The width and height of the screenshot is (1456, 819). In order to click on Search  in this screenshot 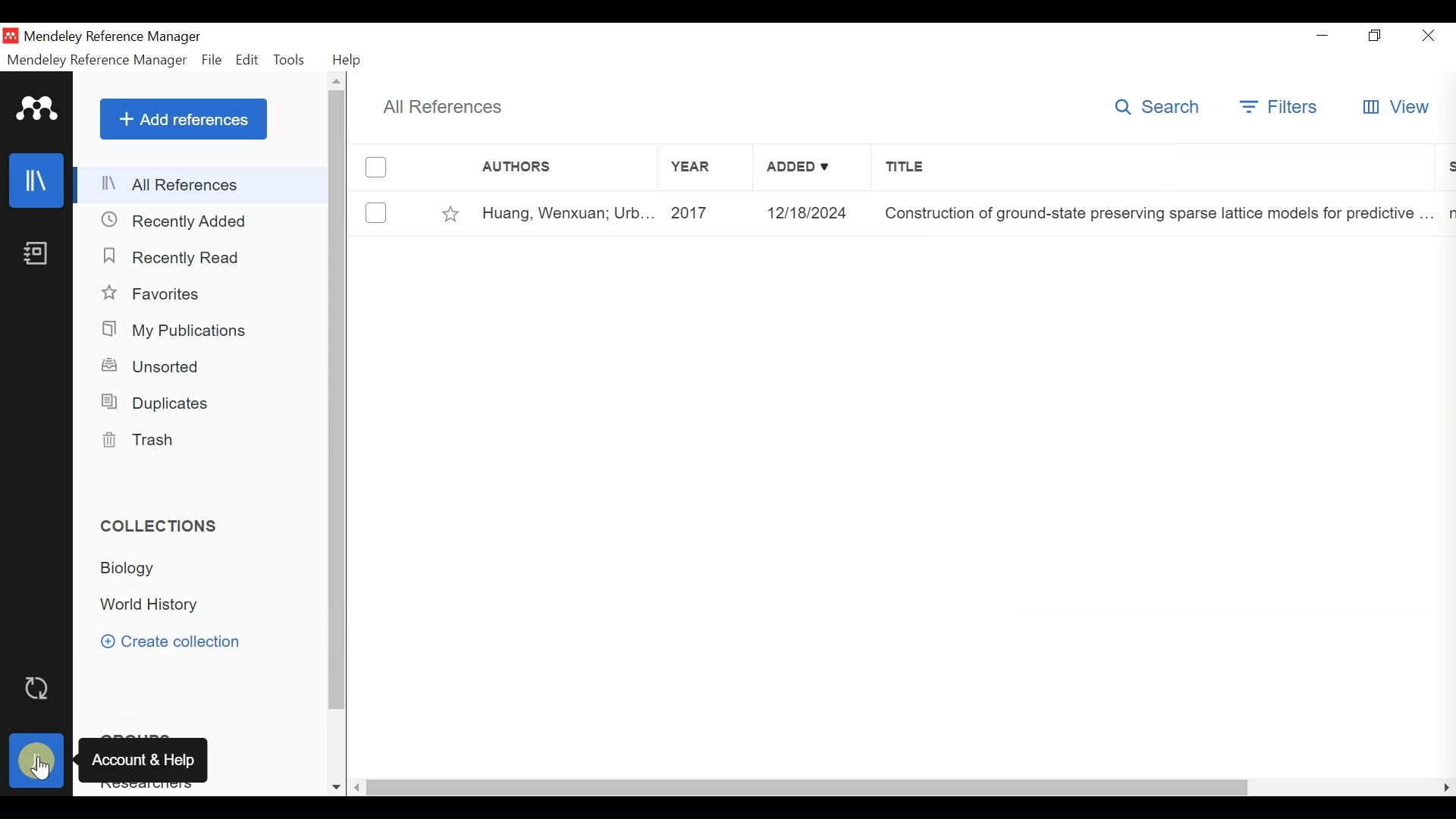, I will do `click(1157, 108)`.